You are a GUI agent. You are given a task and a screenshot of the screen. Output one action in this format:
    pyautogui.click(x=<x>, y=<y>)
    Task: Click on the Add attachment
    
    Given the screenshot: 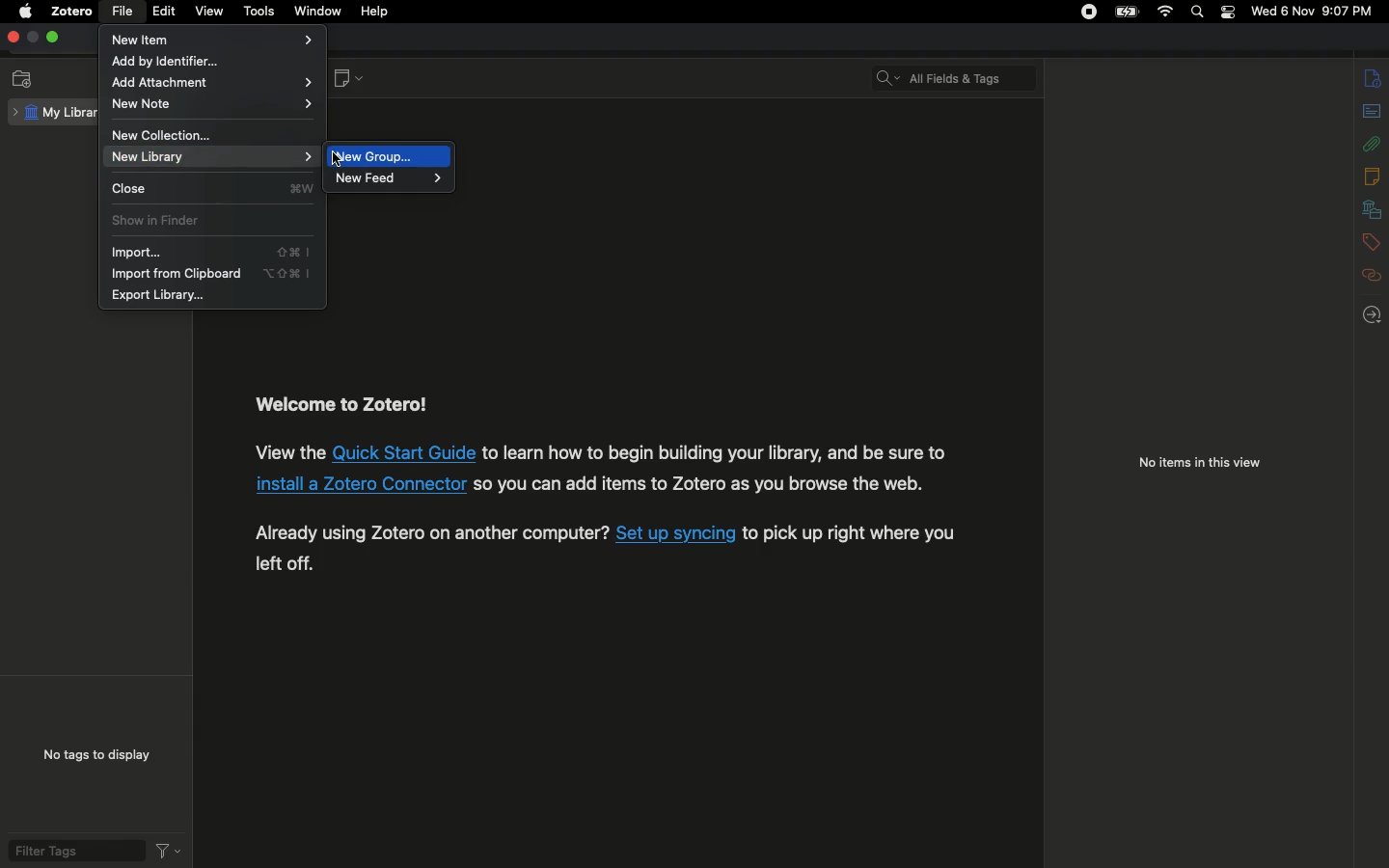 What is the action you would take?
    pyautogui.click(x=214, y=84)
    